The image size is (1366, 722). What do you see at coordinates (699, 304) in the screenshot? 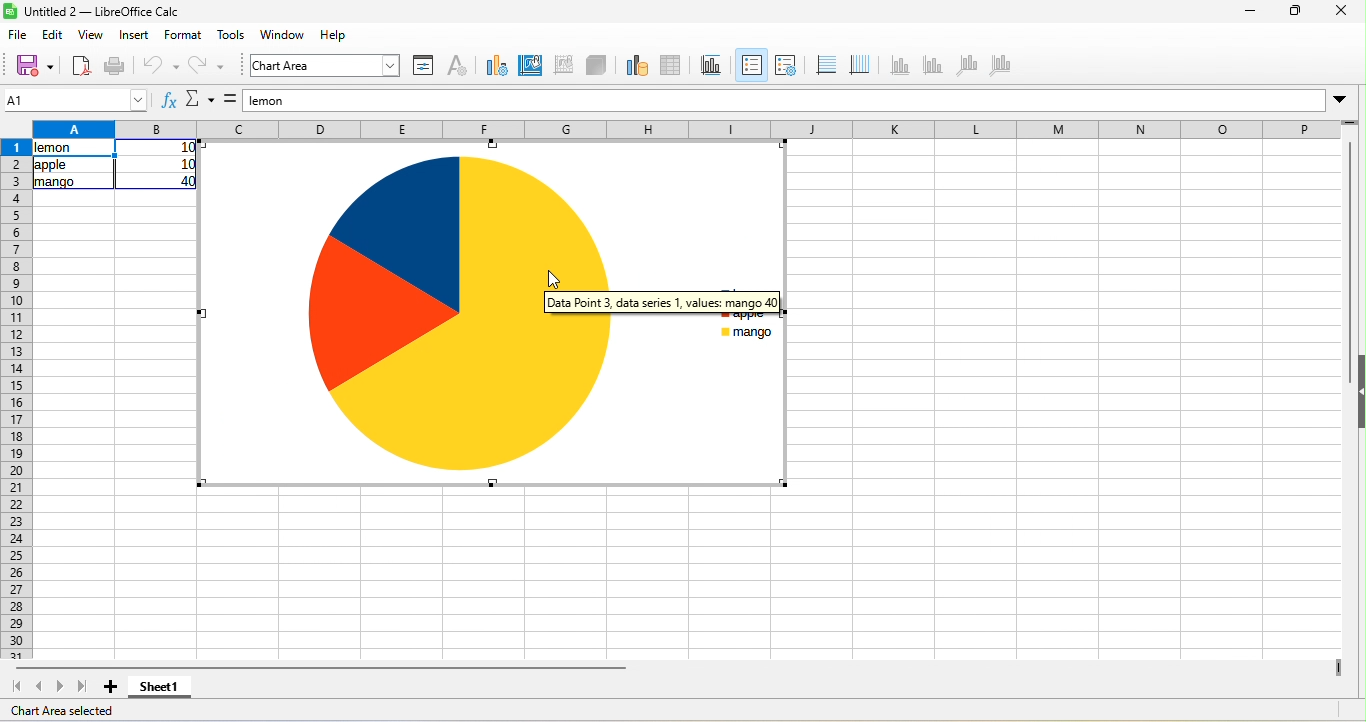
I see `data point 3, data series 1, values mango 40` at bounding box center [699, 304].